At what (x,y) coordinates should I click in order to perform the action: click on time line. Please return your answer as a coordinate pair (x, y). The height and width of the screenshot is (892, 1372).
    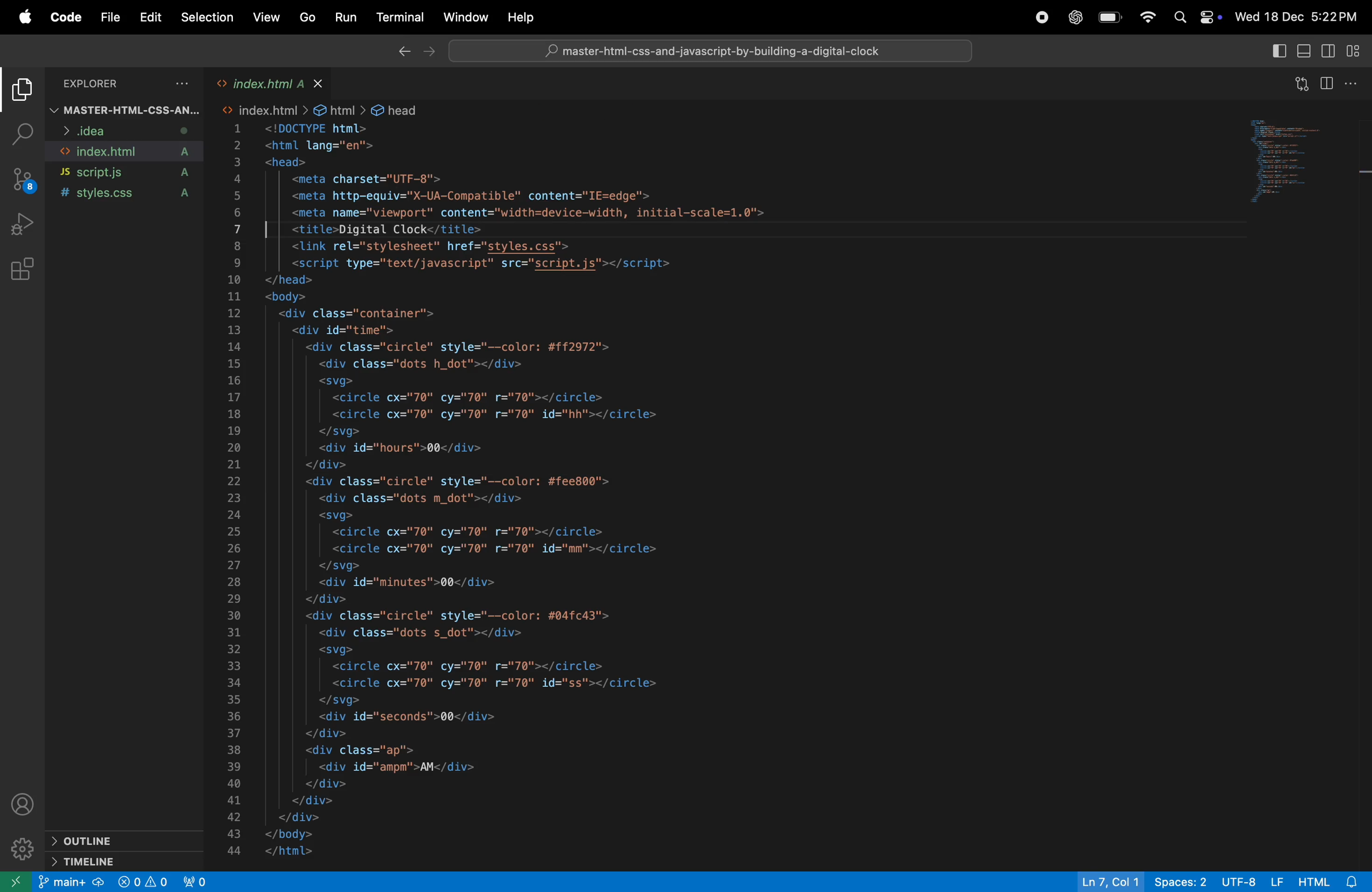
    Looking at the image, I should click on (133, 860).